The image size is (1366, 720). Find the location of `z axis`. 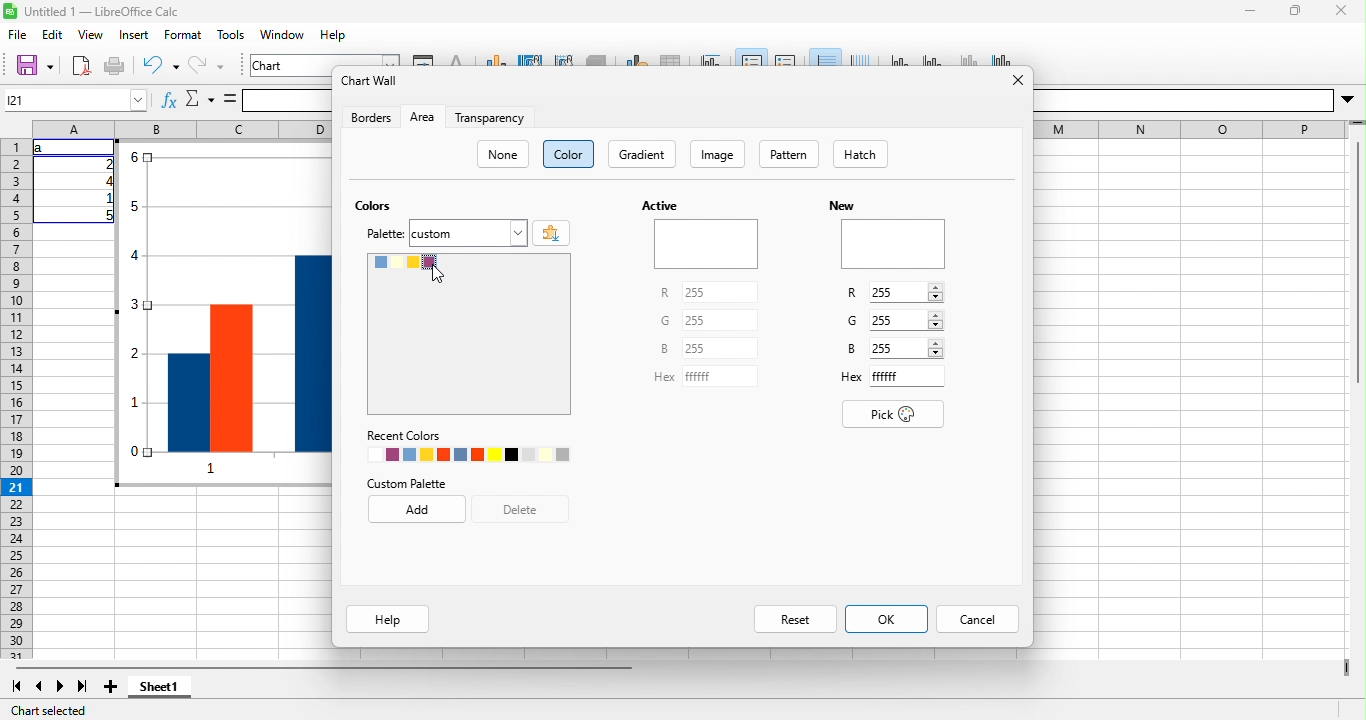

z axis is located at coordinates (967, 58).